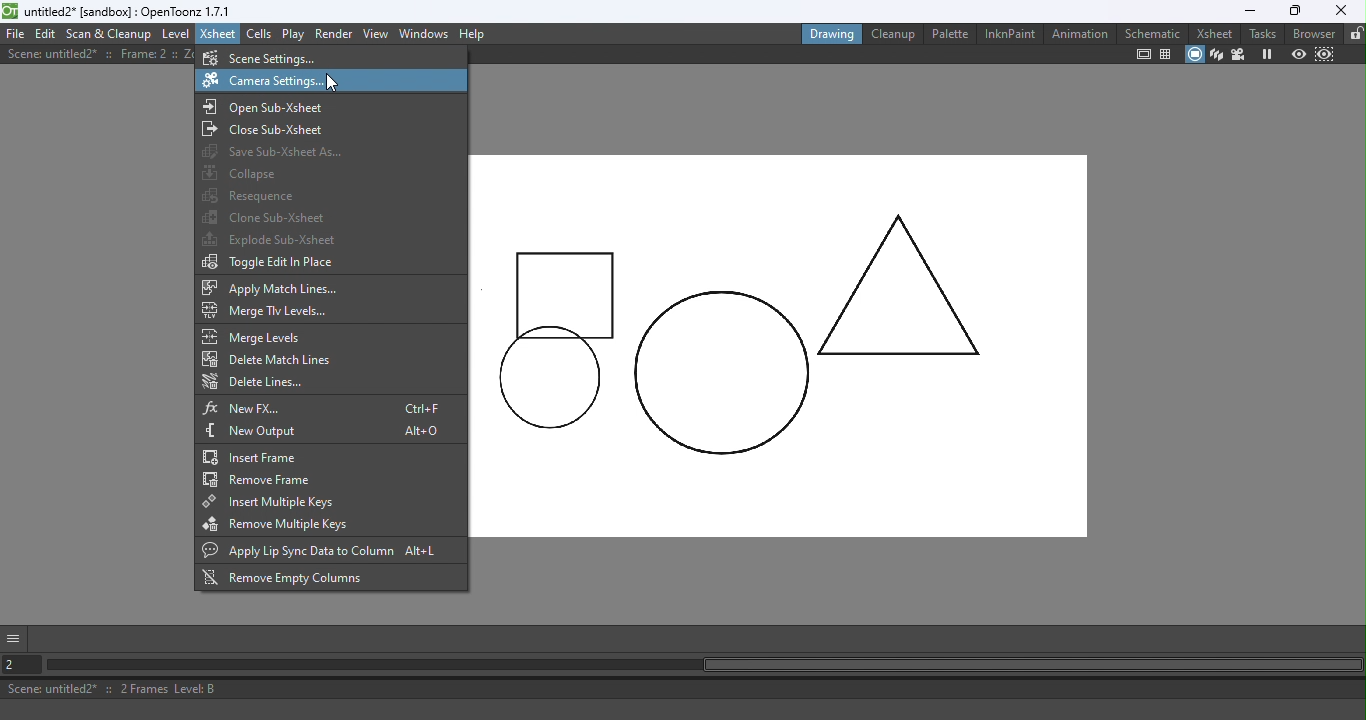 The height and width of the screenshot is (720, 1366). Describe the element at coordinates (1216, 55) in the screenshot. I see `3D view` at that location.